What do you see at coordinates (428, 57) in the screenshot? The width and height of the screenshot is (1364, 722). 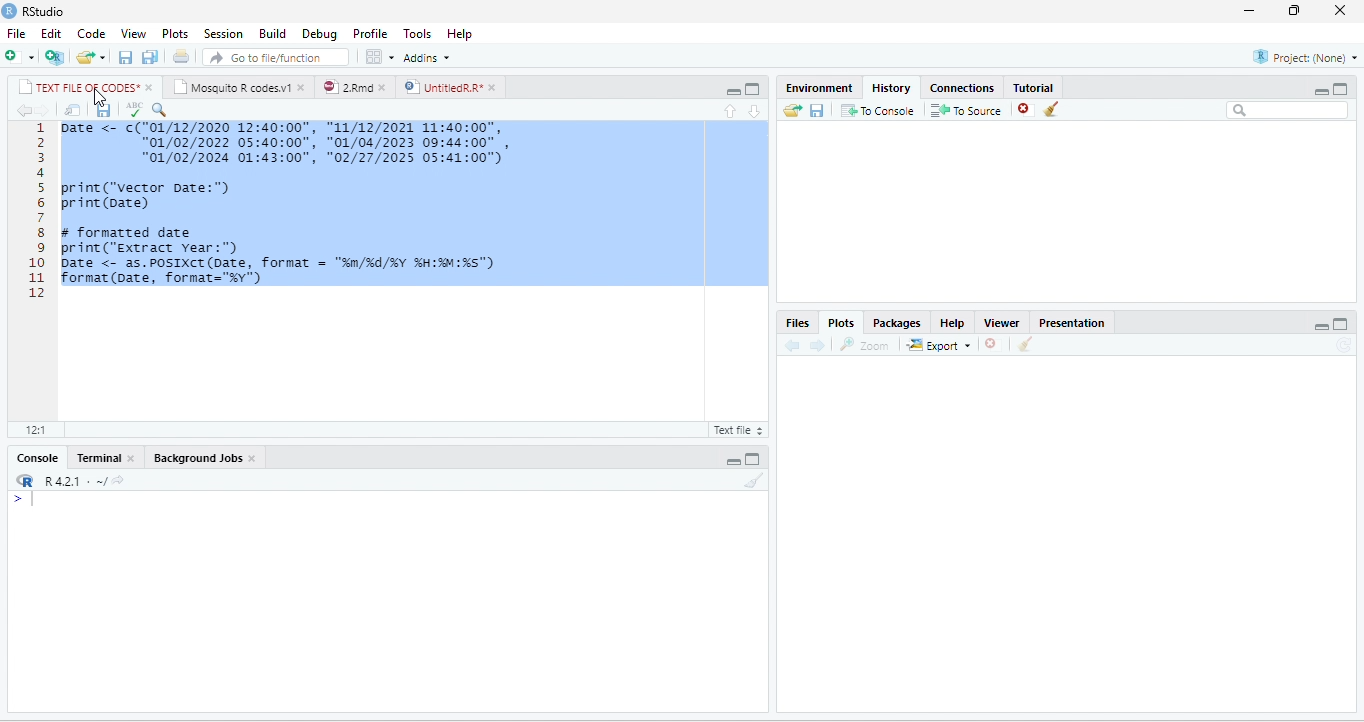 I see `Addins` at bounding box center [428, 57].